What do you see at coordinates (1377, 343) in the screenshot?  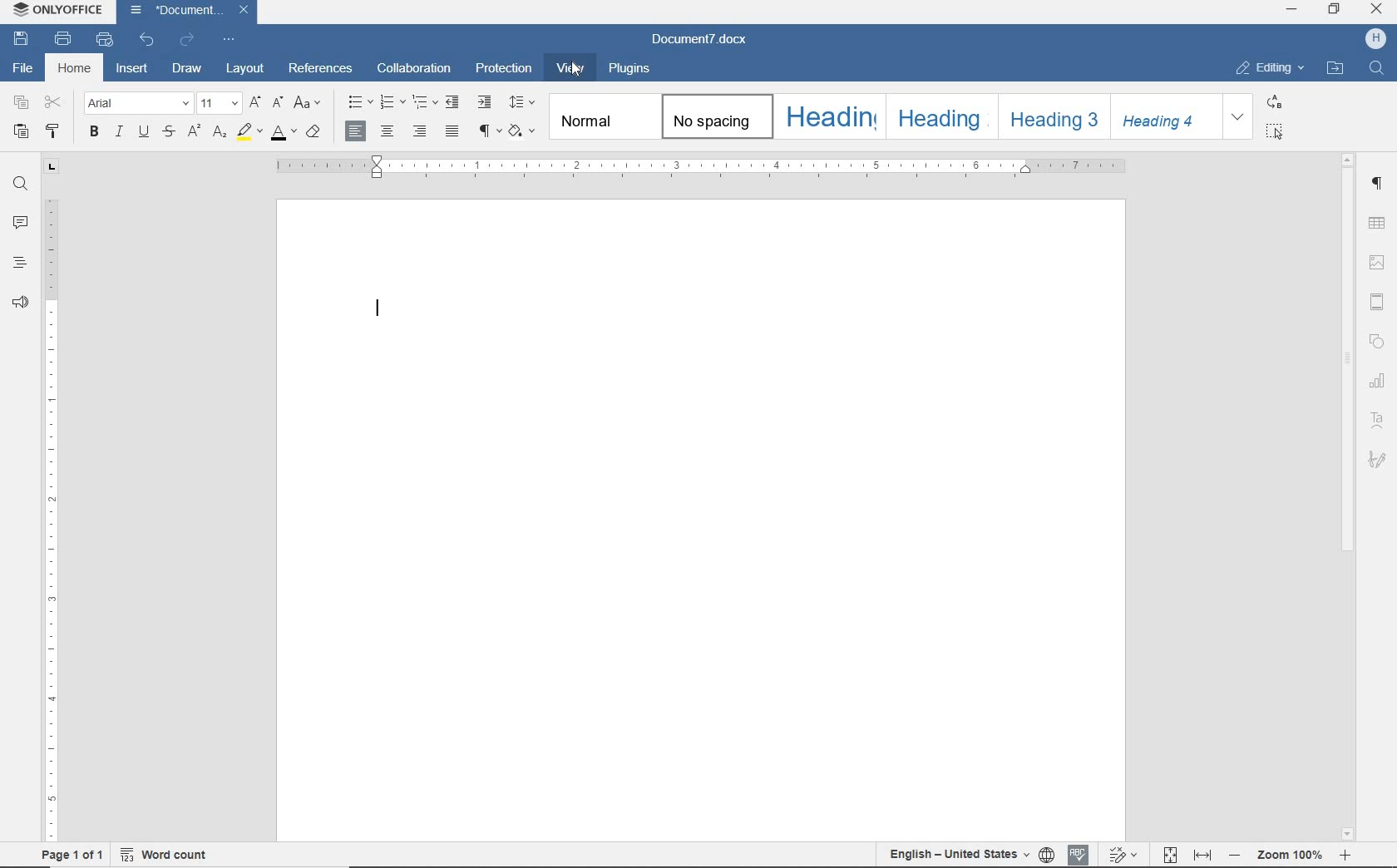 I see `SHAPE` at bounding box center [1377, 343].